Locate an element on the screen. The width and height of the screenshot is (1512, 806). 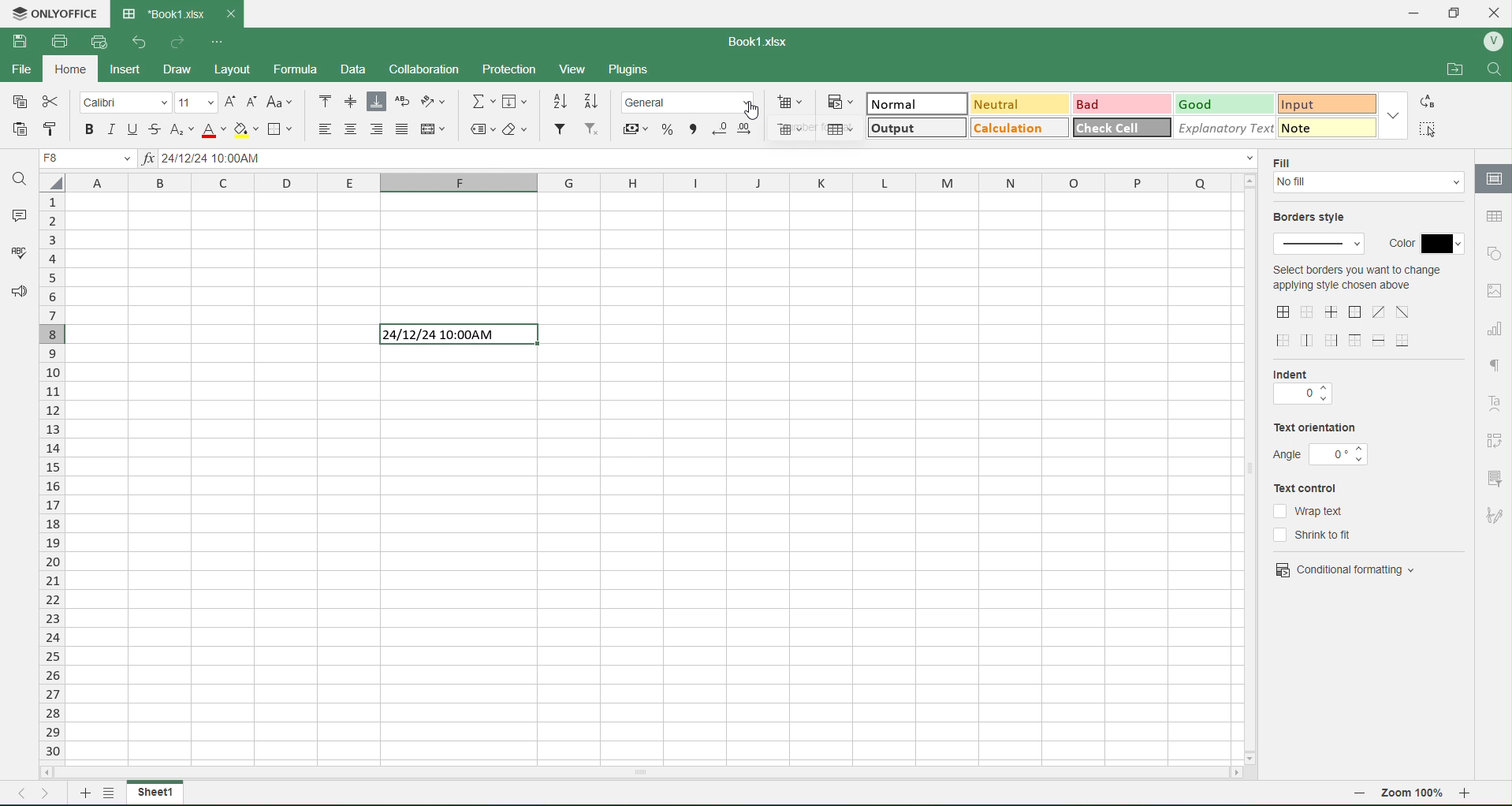
text orientation is located at coordinates (1316, 429).